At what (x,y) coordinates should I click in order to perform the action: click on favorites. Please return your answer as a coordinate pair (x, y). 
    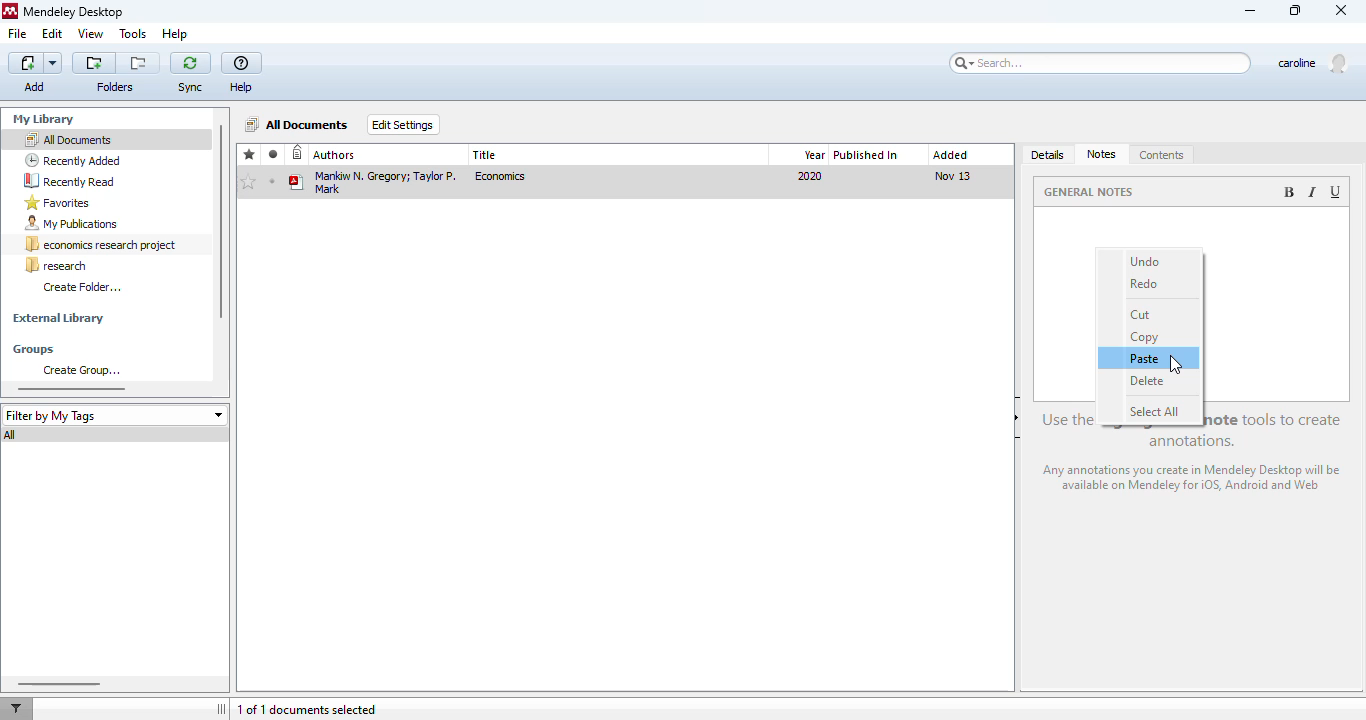
    Looking at the image, I should click on (250, 155).